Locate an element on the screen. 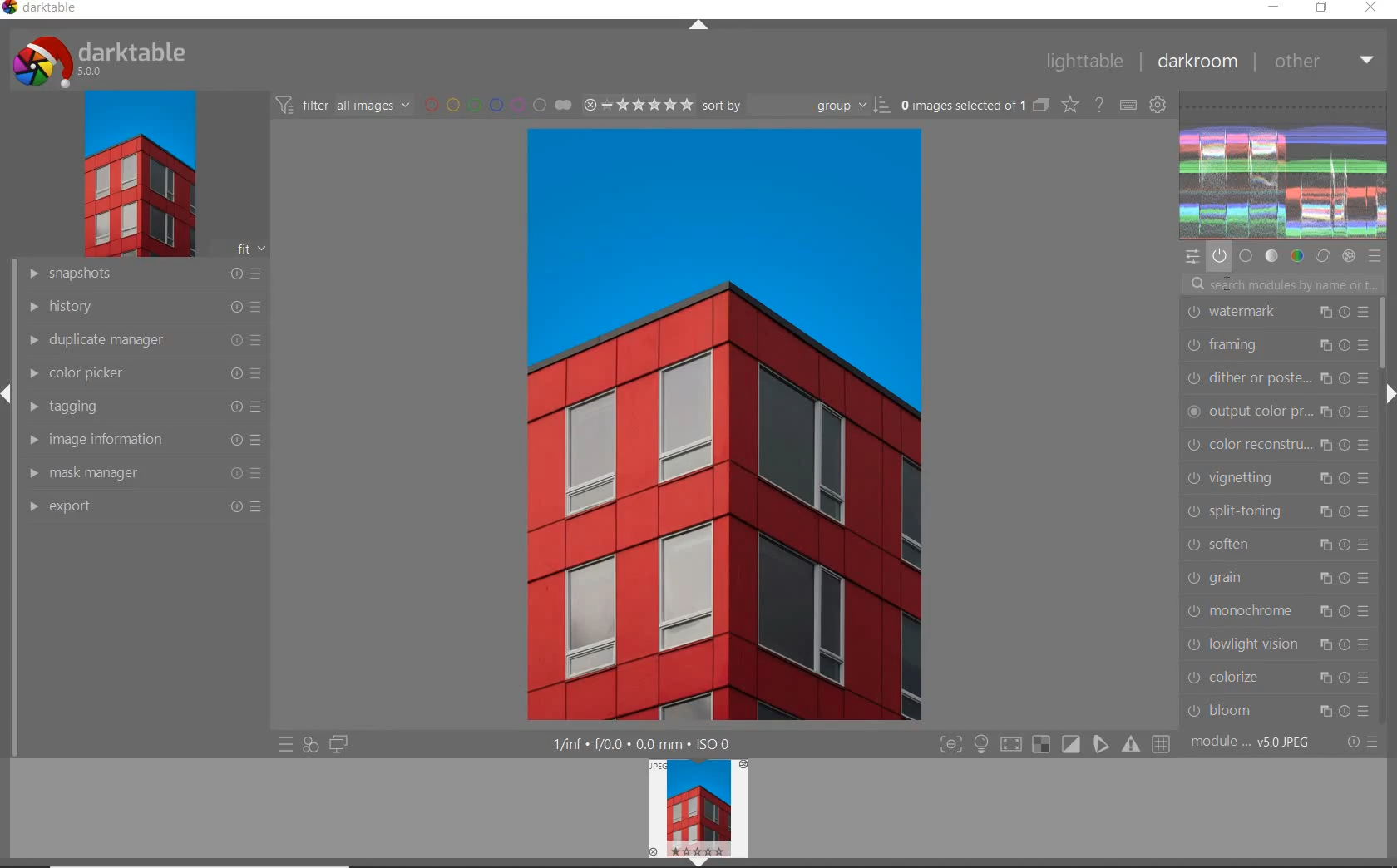 Image resolution: width=1397 pixels, height=868 pixels. close is located at coordinates (1371, 9).